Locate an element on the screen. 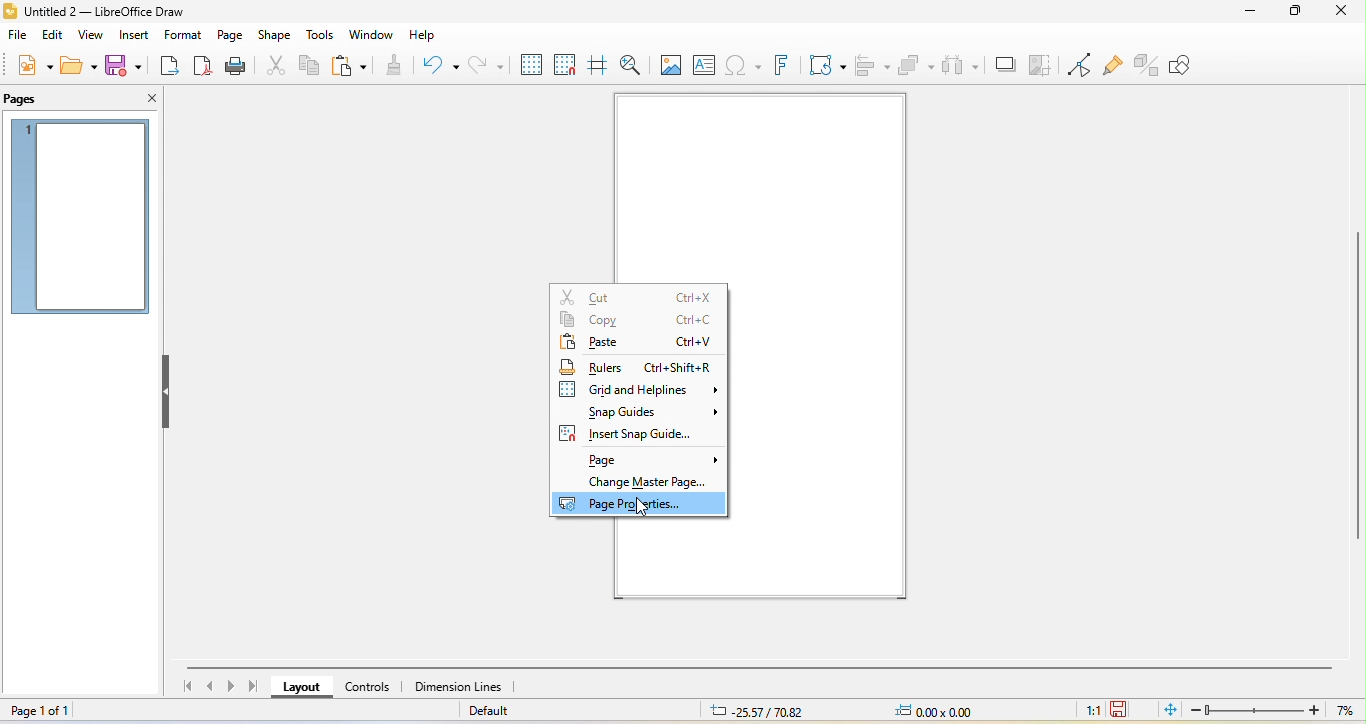 The image size is (1366, 724). tools is located at coordinates (321, 36).